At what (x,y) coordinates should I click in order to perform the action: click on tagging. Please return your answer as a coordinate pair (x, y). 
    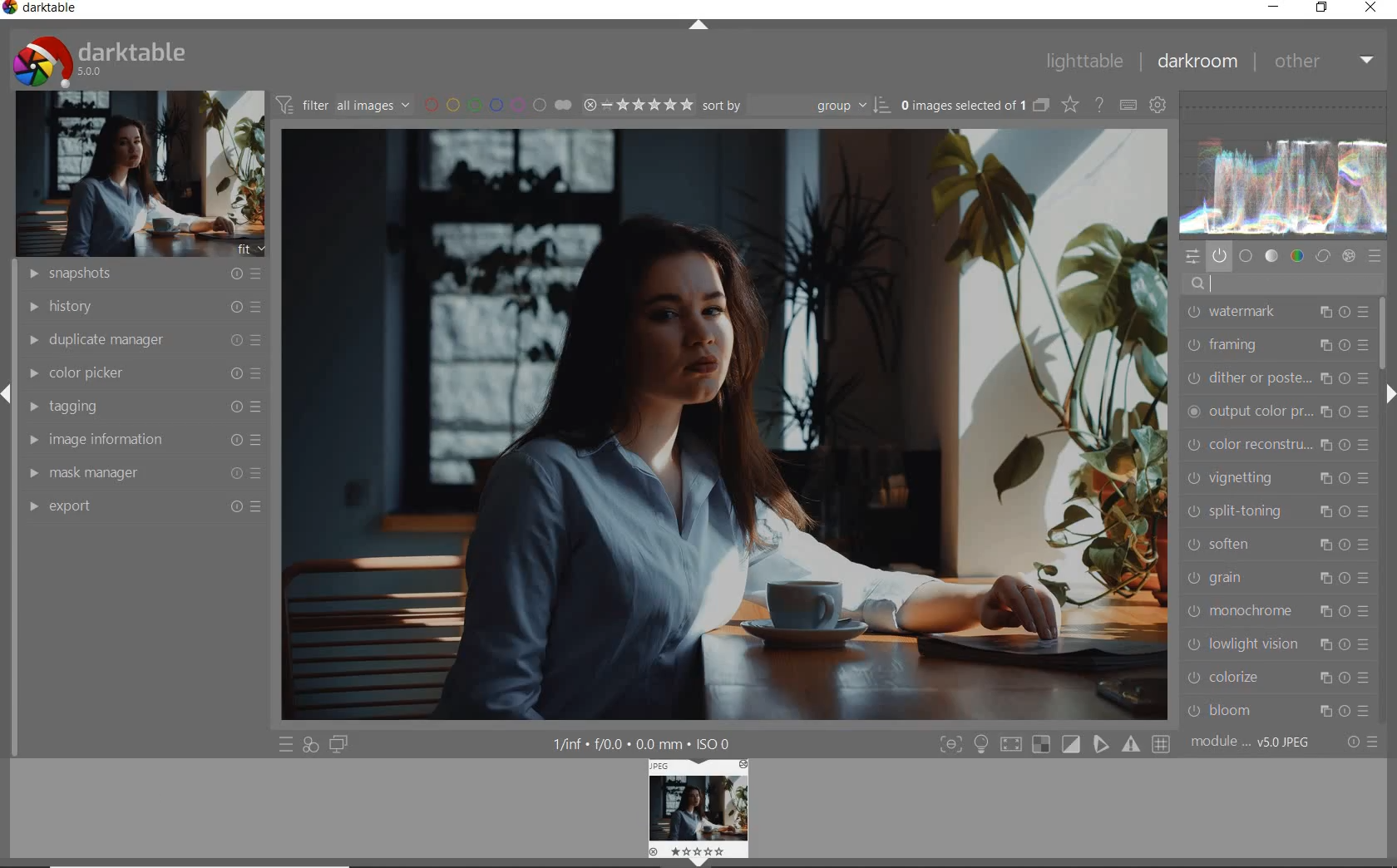
    Looking at the image, I should click on (142, 407).